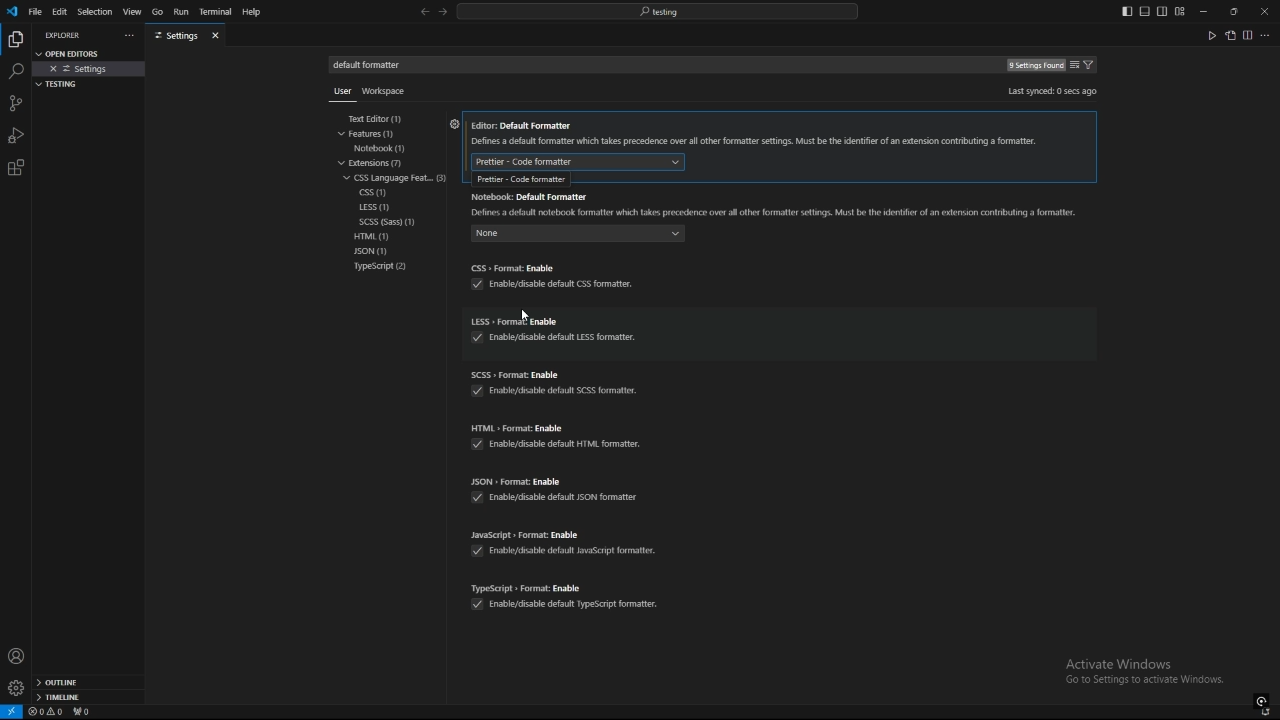  What do you see at coordinates (12, 712) in the screenshot?
I see `open a remote window` at bounding box center [12, 712].